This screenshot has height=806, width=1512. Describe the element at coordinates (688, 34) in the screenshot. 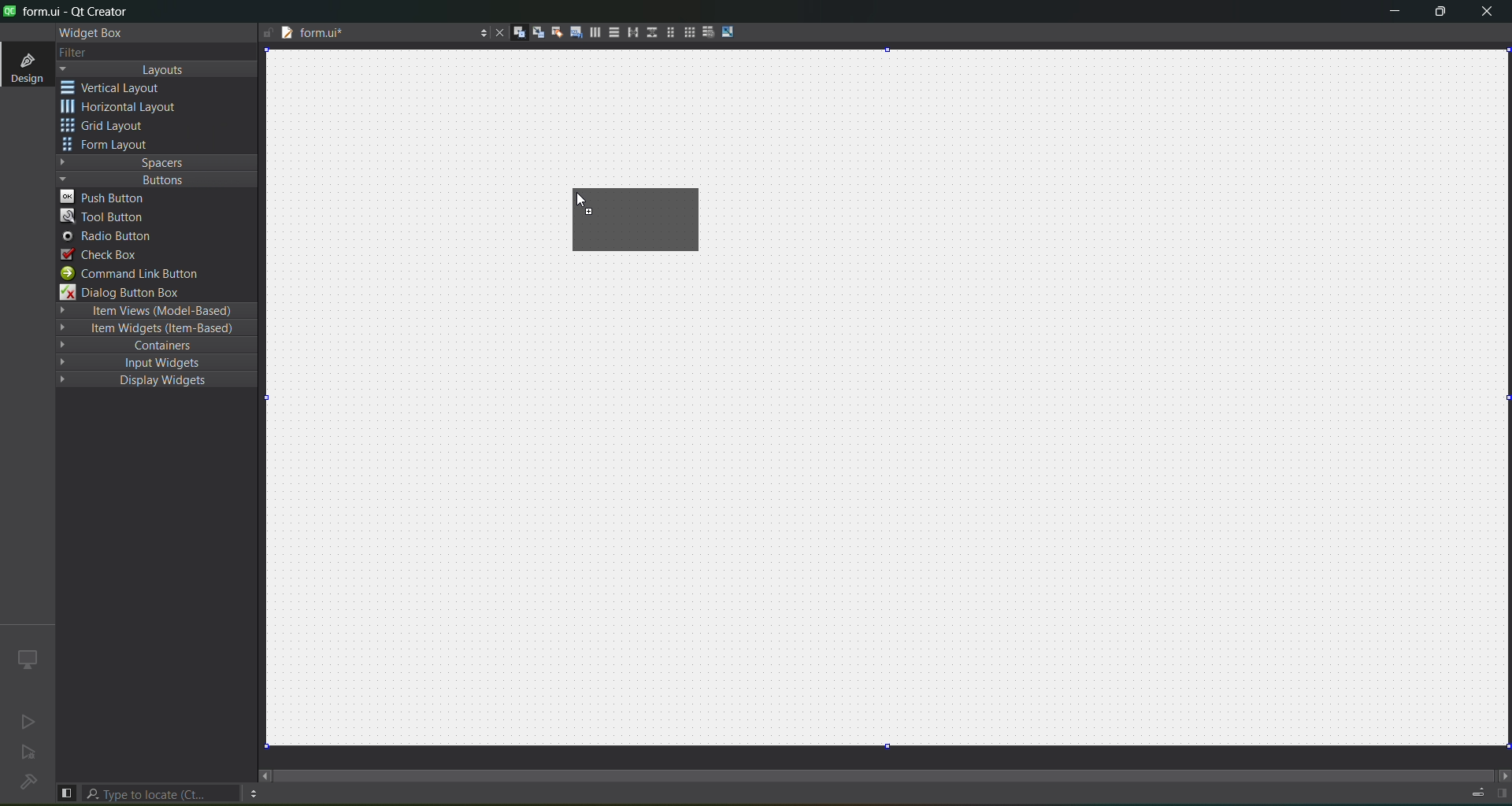

I see `layout in a grid` at that location.